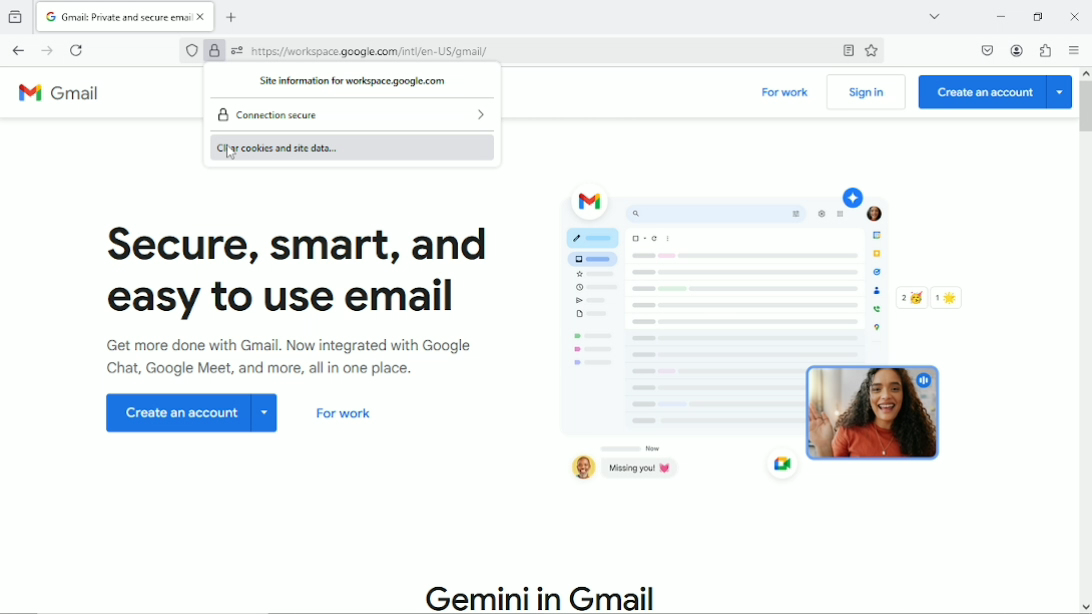  I want to click on restore down, so click(1039, 16).